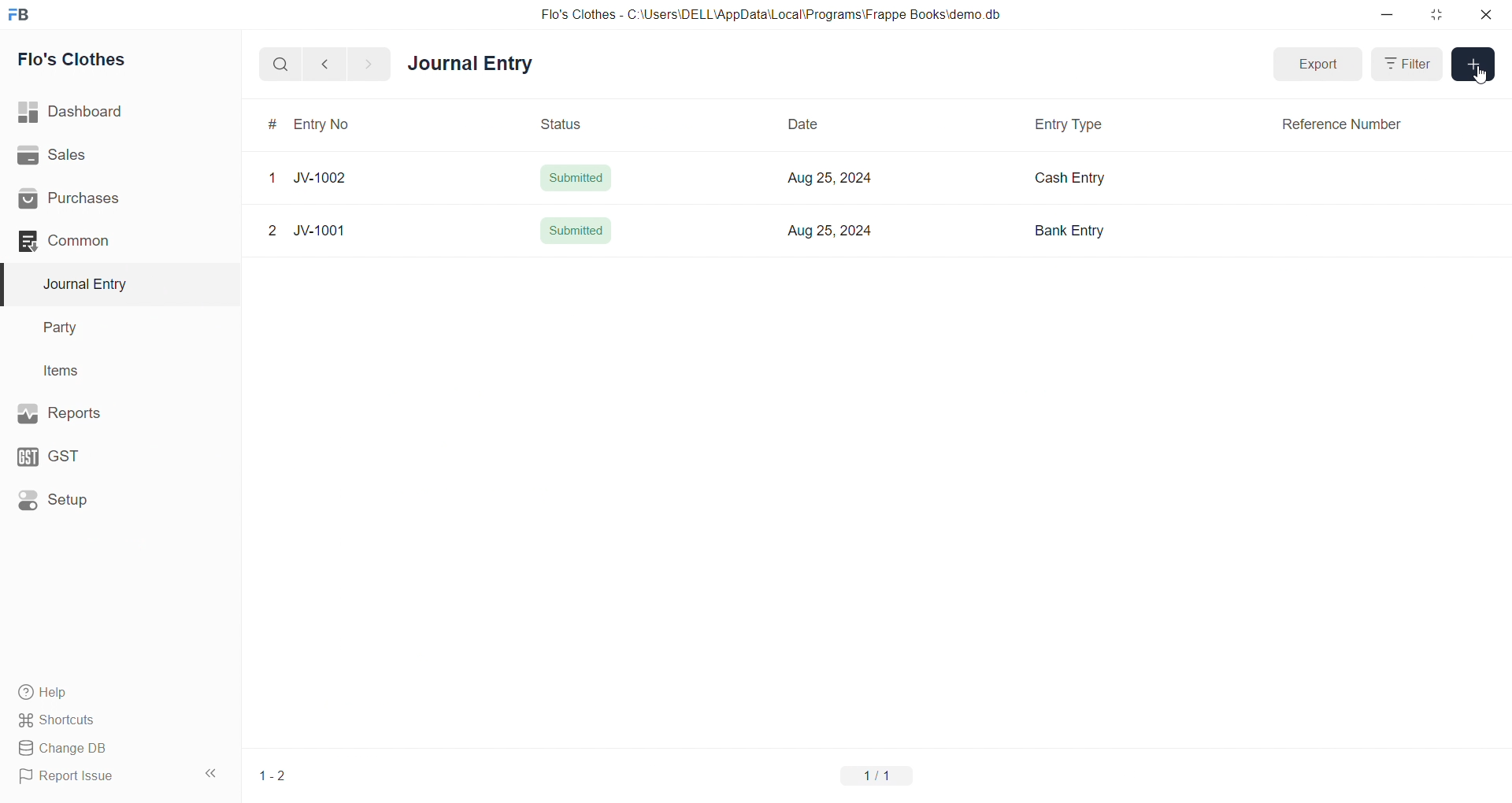  What do you see at coordinates (880, 775) in the screenshot?
I see `1/1` at bounding box center [880, 775].